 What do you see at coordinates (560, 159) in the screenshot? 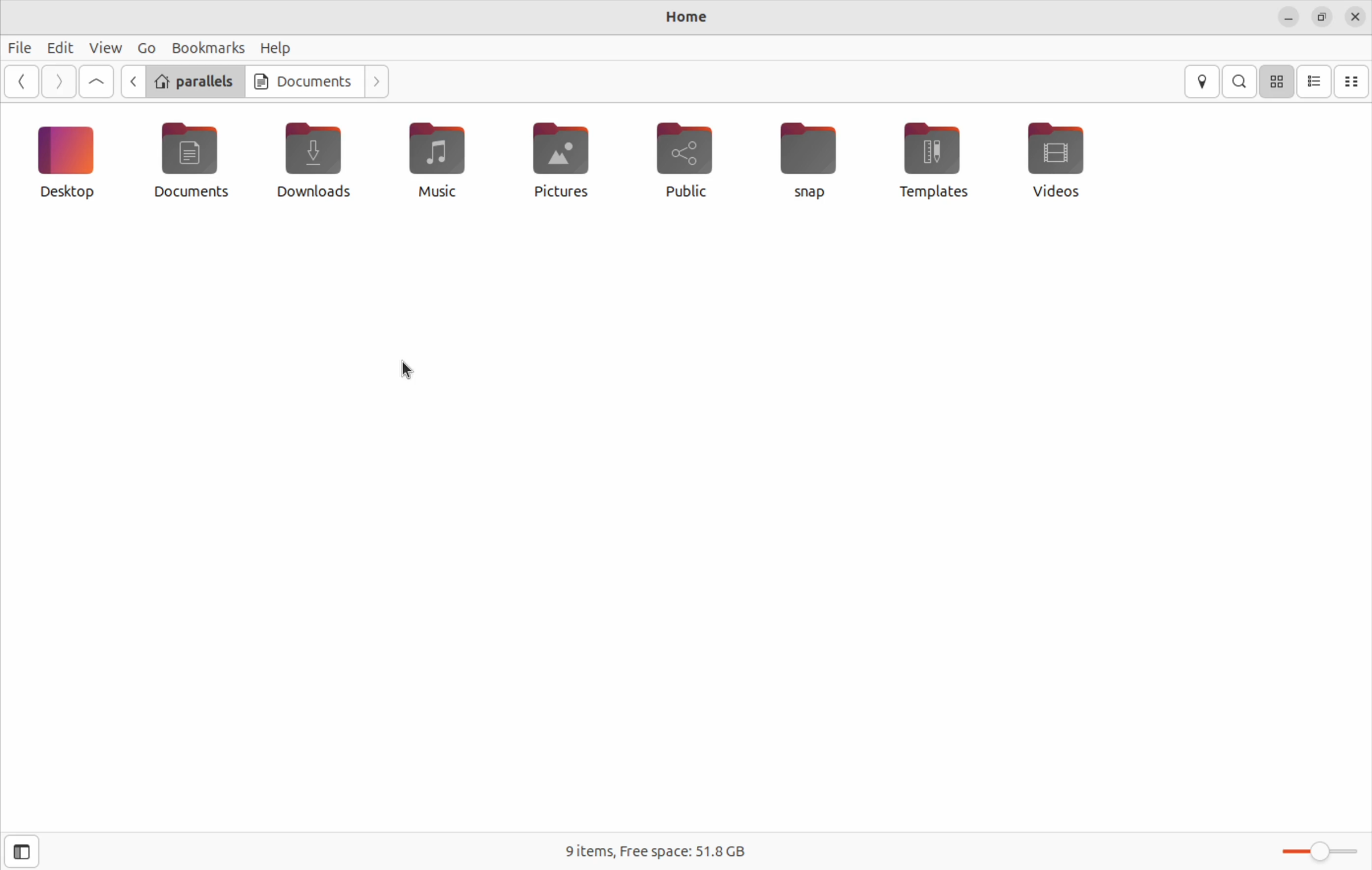
I see `templates` at bounding box center [560, 159].